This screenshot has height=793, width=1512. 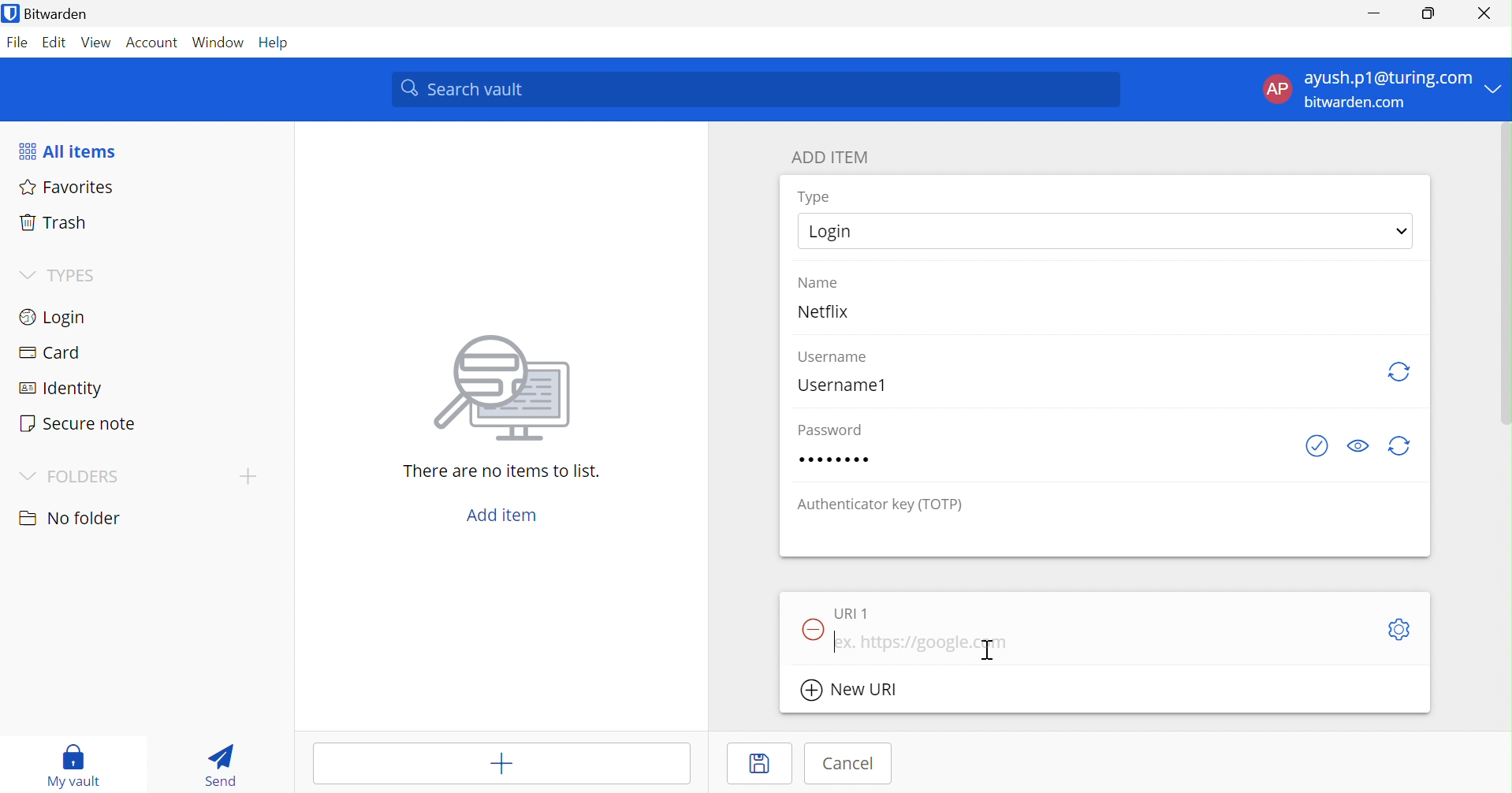 I want to click on Password, so click(x=828, y=429).